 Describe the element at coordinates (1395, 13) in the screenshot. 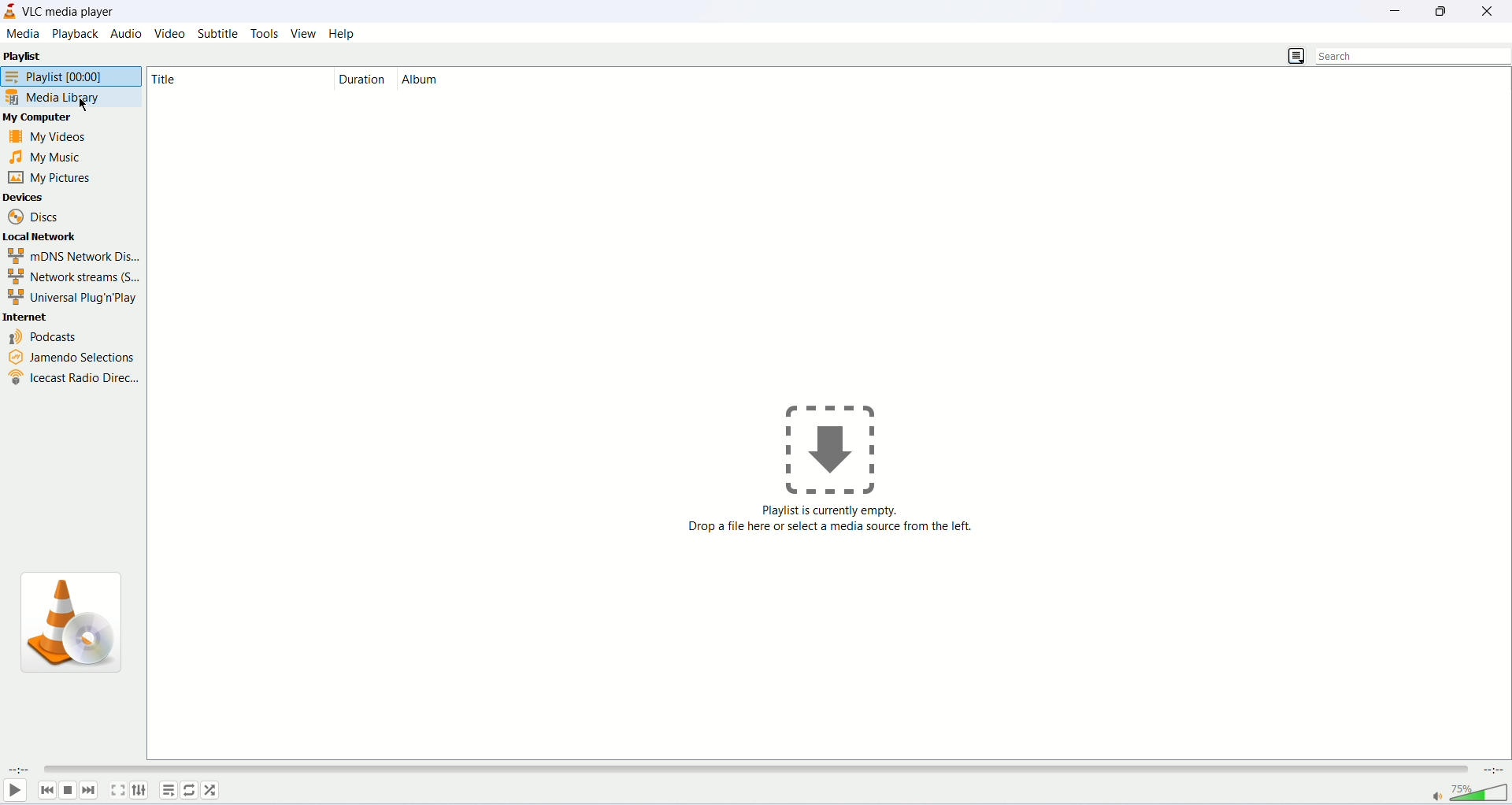

I see `minimize` at that location.